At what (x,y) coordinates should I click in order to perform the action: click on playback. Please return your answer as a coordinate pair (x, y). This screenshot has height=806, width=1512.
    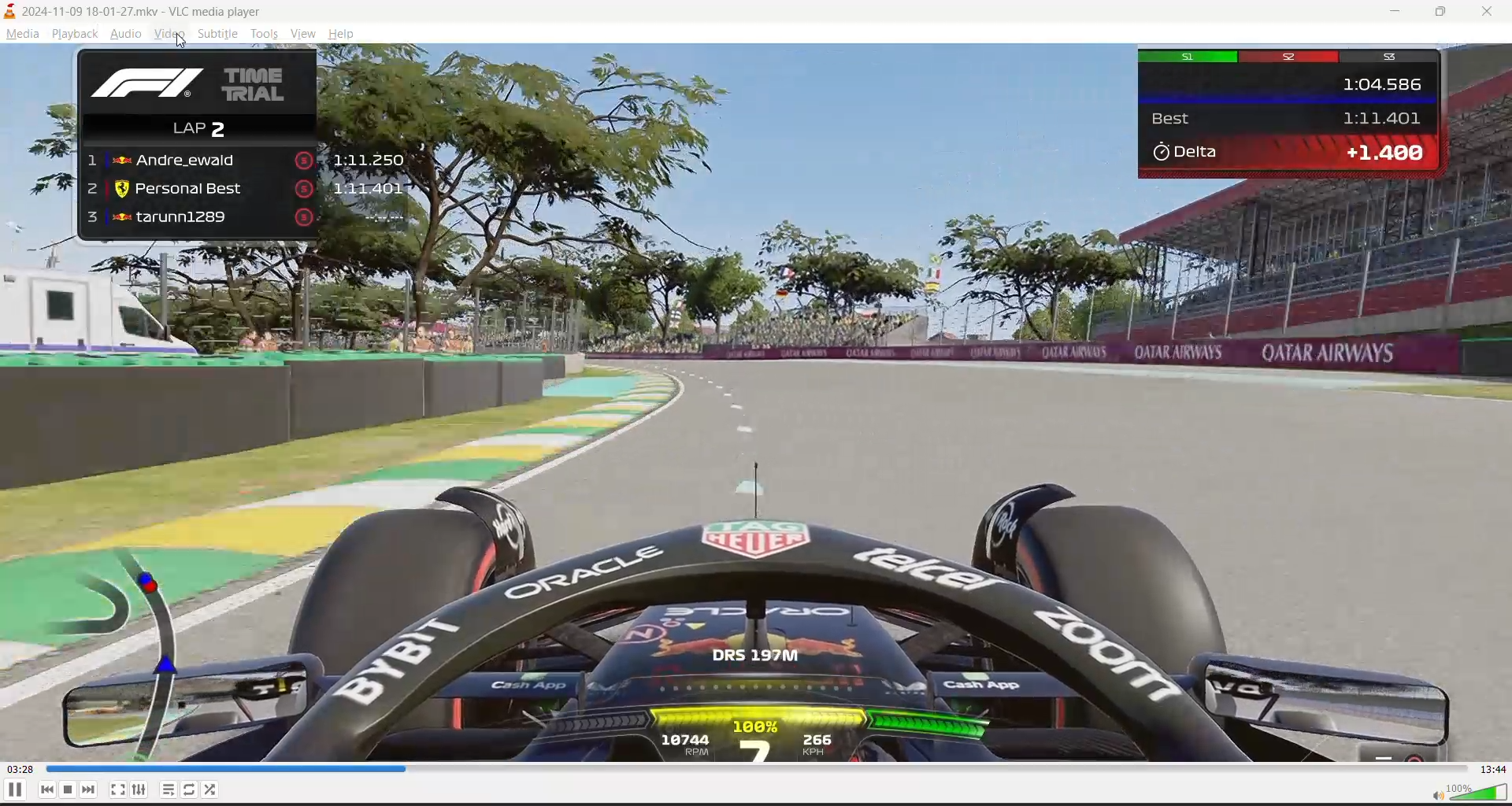
    Looking at the image, I should click on (76, 33).